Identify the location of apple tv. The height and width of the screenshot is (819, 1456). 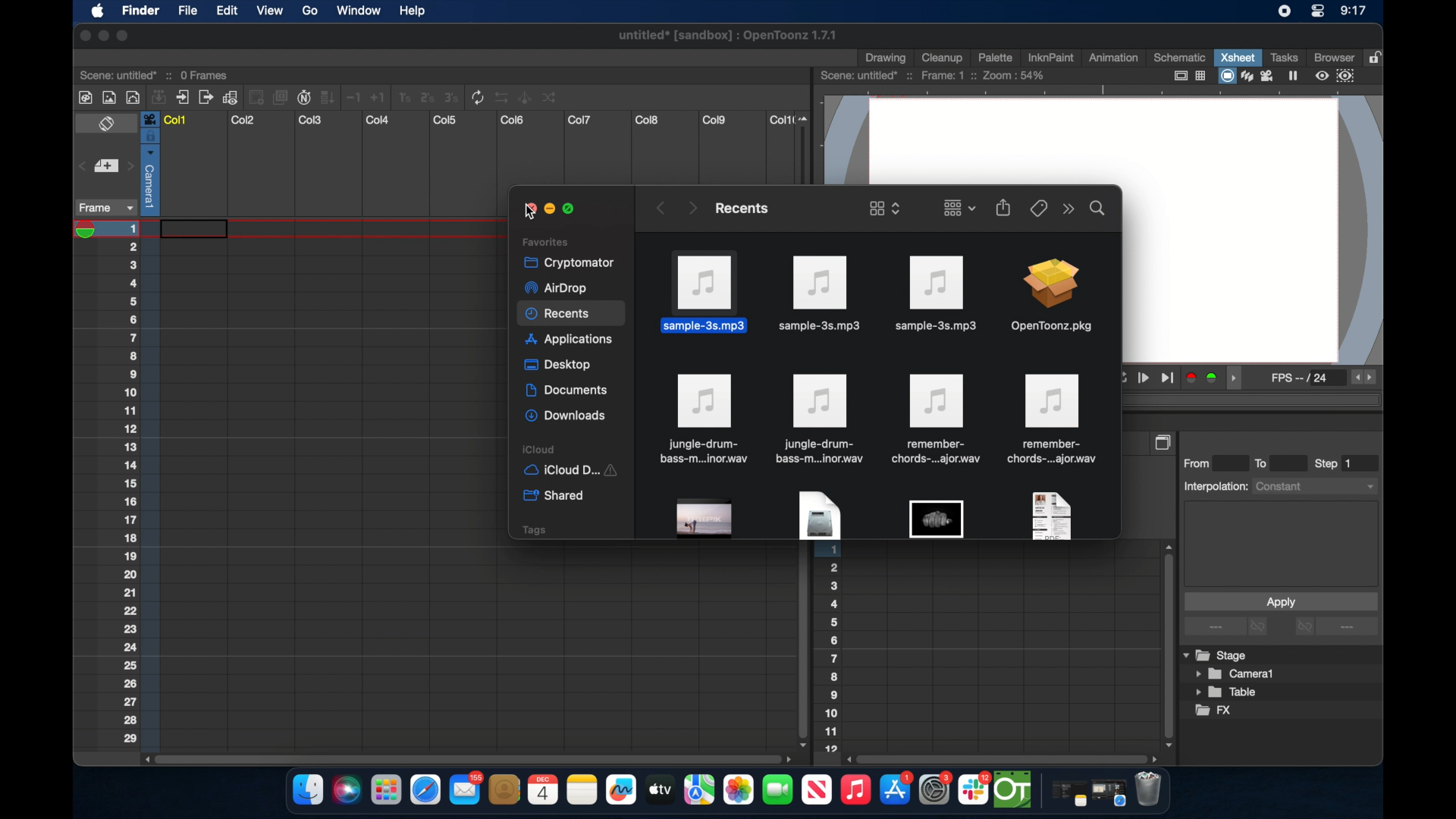
(659, 789).